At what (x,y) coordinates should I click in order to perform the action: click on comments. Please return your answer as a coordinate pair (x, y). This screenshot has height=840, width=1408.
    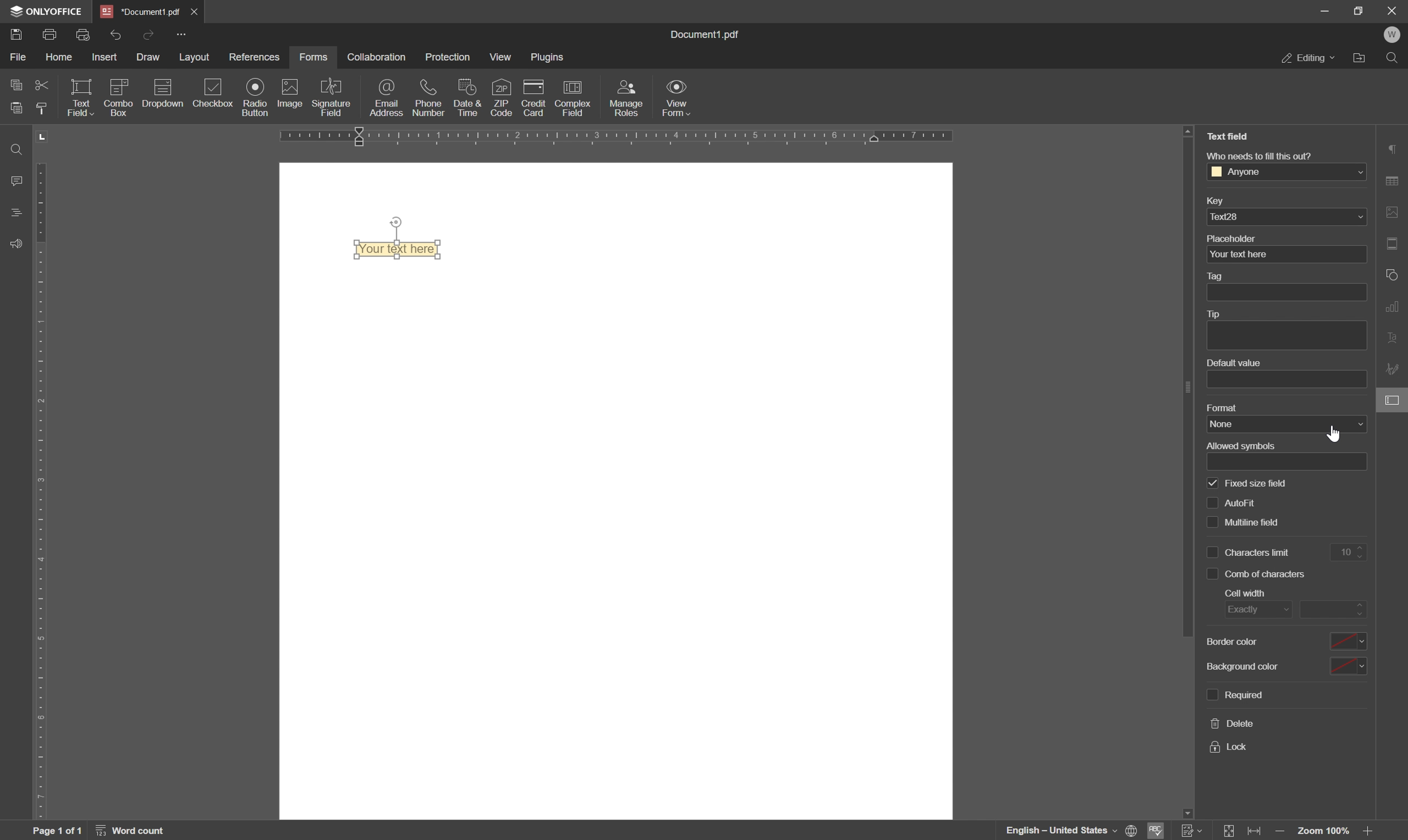
    Looking at the image, I should click on (15, 181).